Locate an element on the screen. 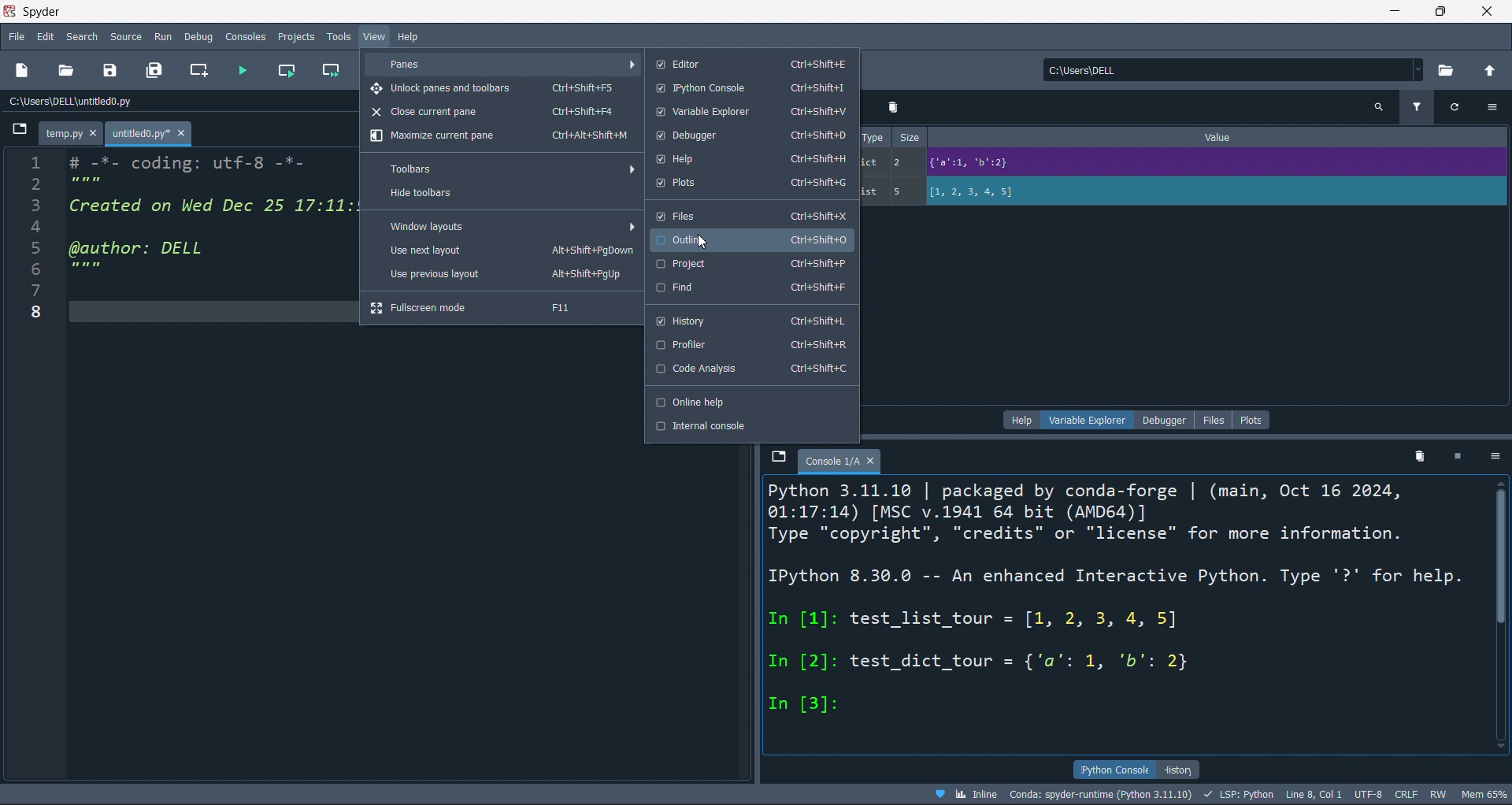 Image resolution: width=1512 pixels, height=805 pixels. minimize is located at coordinates (1400, 12).